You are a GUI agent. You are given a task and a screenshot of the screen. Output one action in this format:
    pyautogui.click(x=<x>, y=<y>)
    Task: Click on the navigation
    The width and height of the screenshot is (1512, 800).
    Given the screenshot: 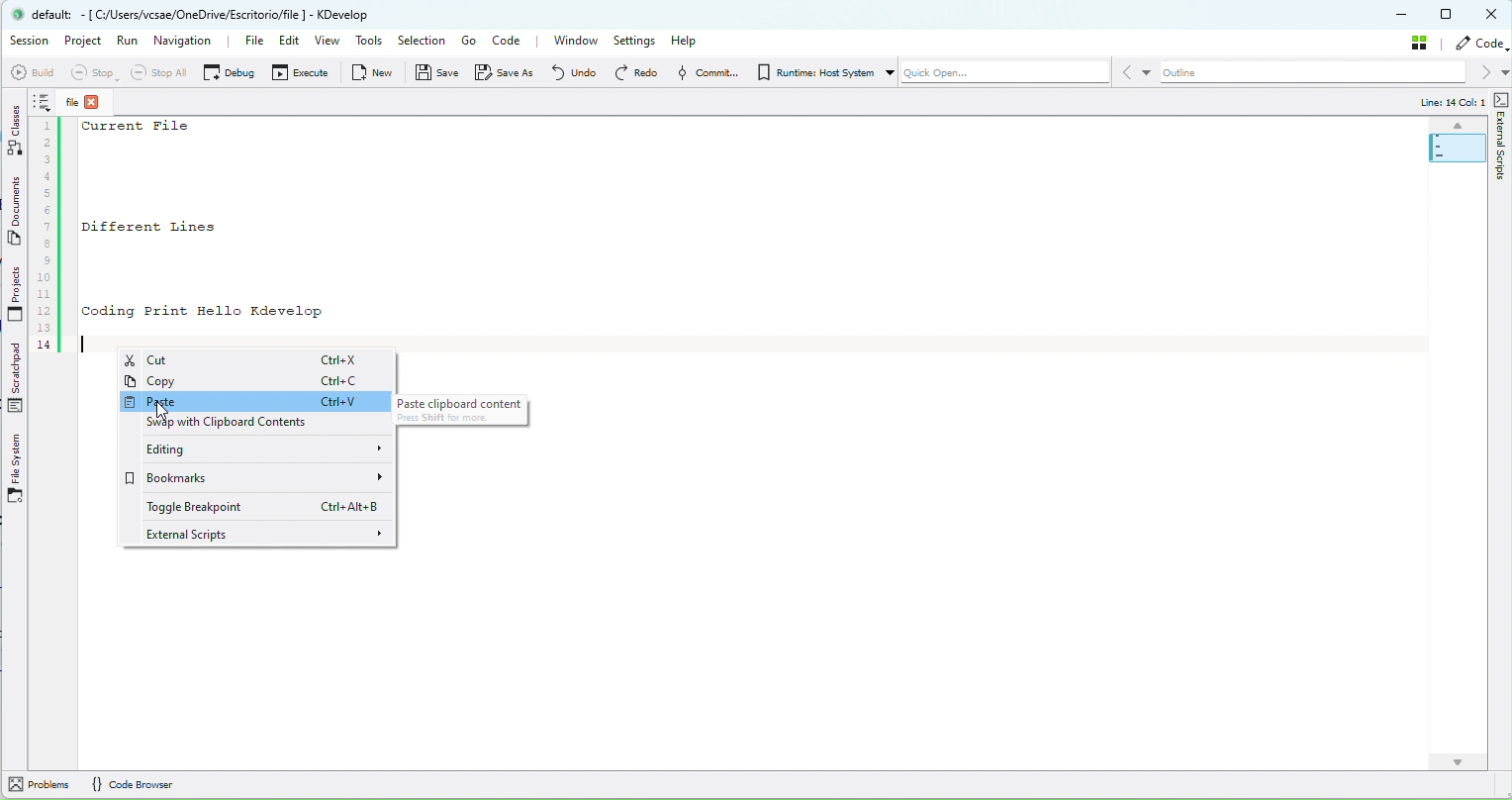 What is the action you would take?
    pyautogui.click(x=185, y=40)
    